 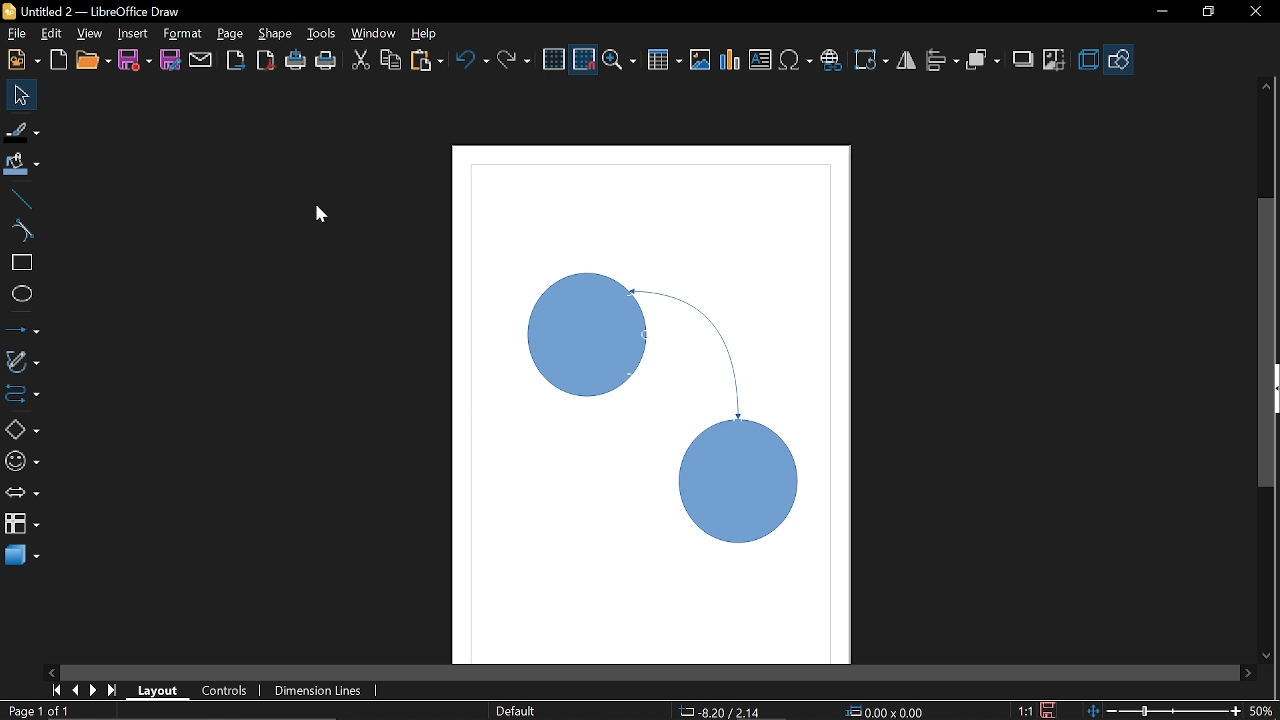 What do you see at coordinates (907, 63) in the screenshot?
I see `Filp` at bounding box center [907, 63].